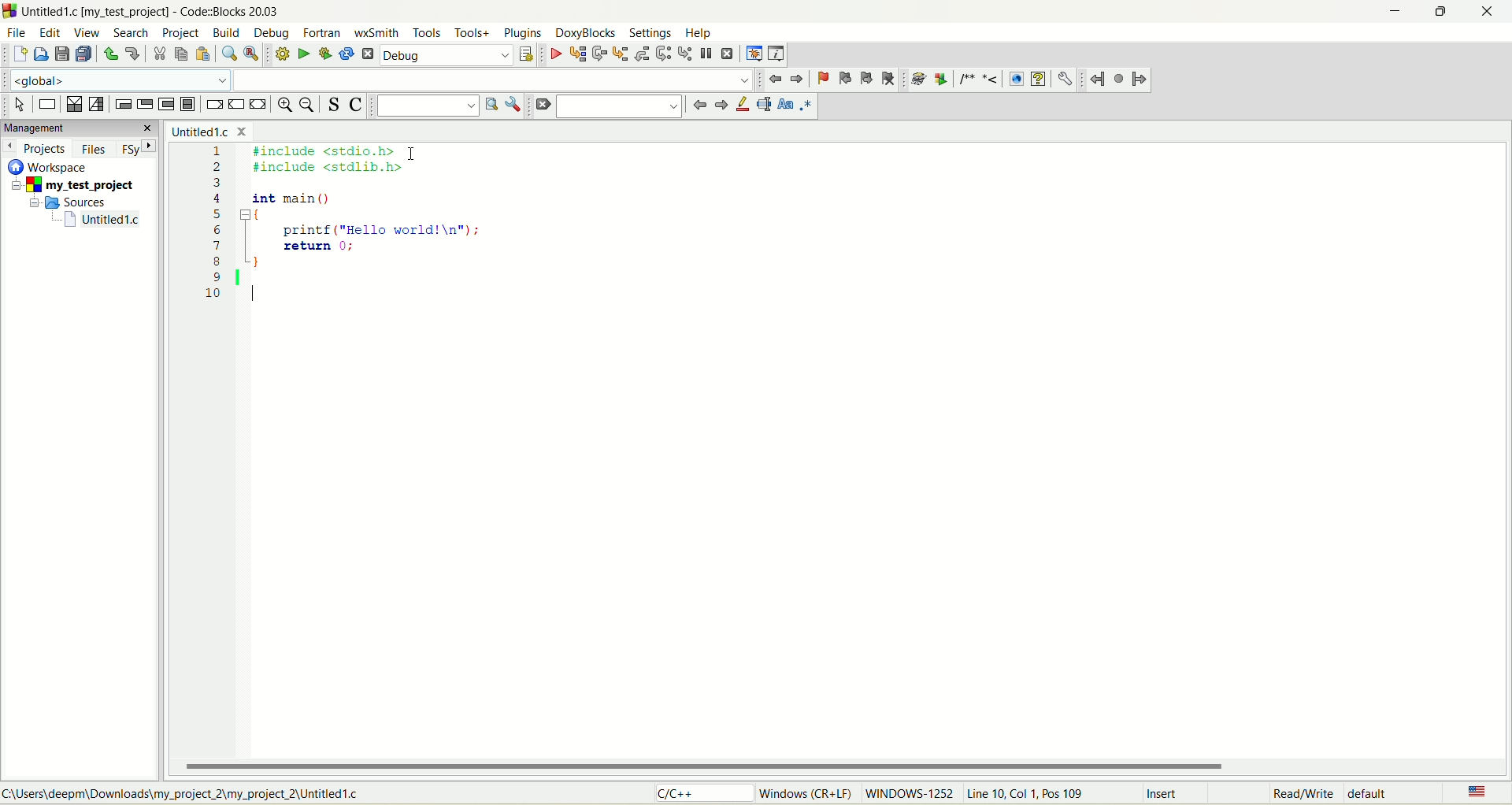 The image size is (1512, 805). What do you see at coordinates (132, 55) in the screenshot?
I see `redo` at bounding box center [132, 55].